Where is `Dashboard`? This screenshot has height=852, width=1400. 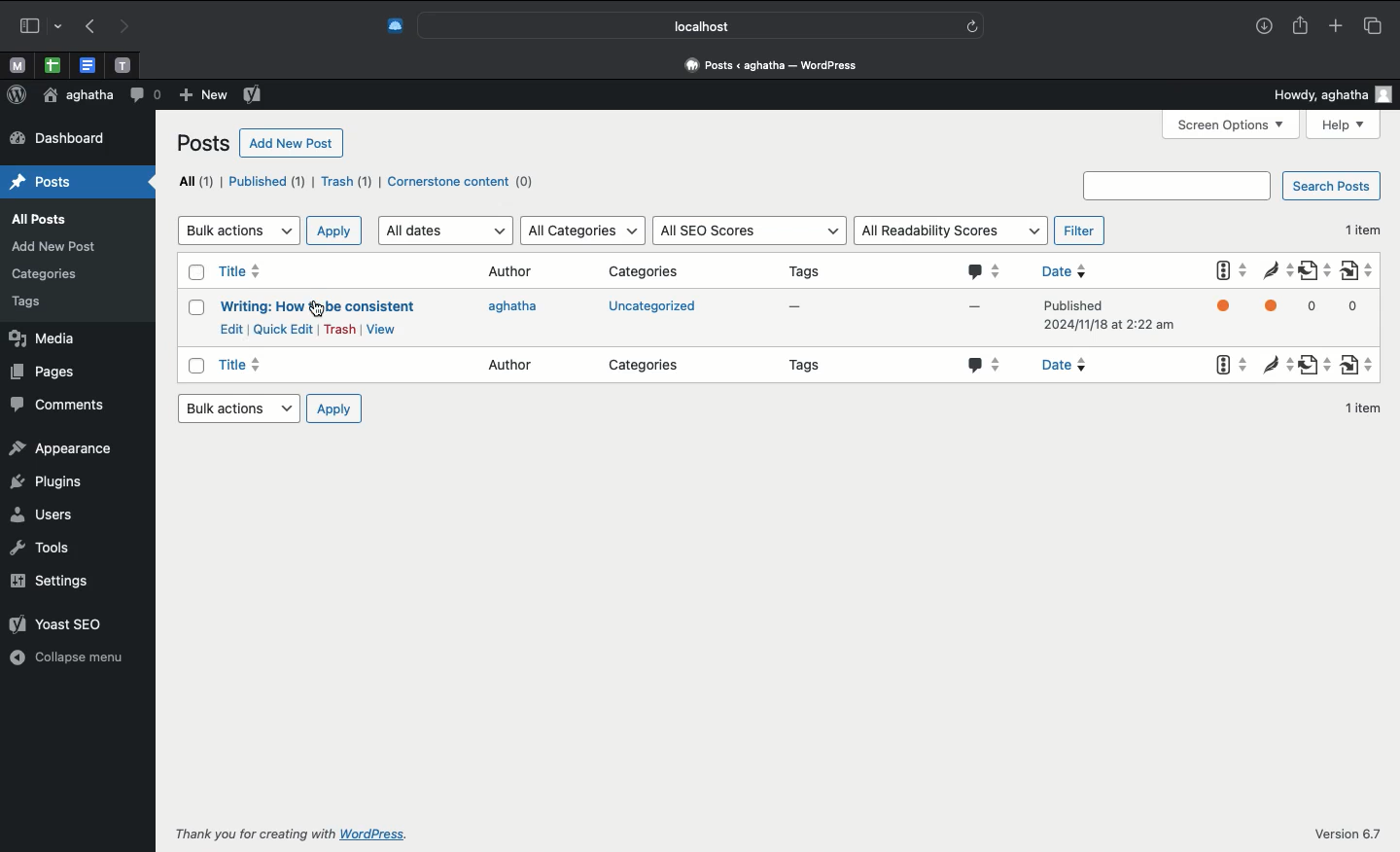
Dashboard is located at coordinates (77, 138).